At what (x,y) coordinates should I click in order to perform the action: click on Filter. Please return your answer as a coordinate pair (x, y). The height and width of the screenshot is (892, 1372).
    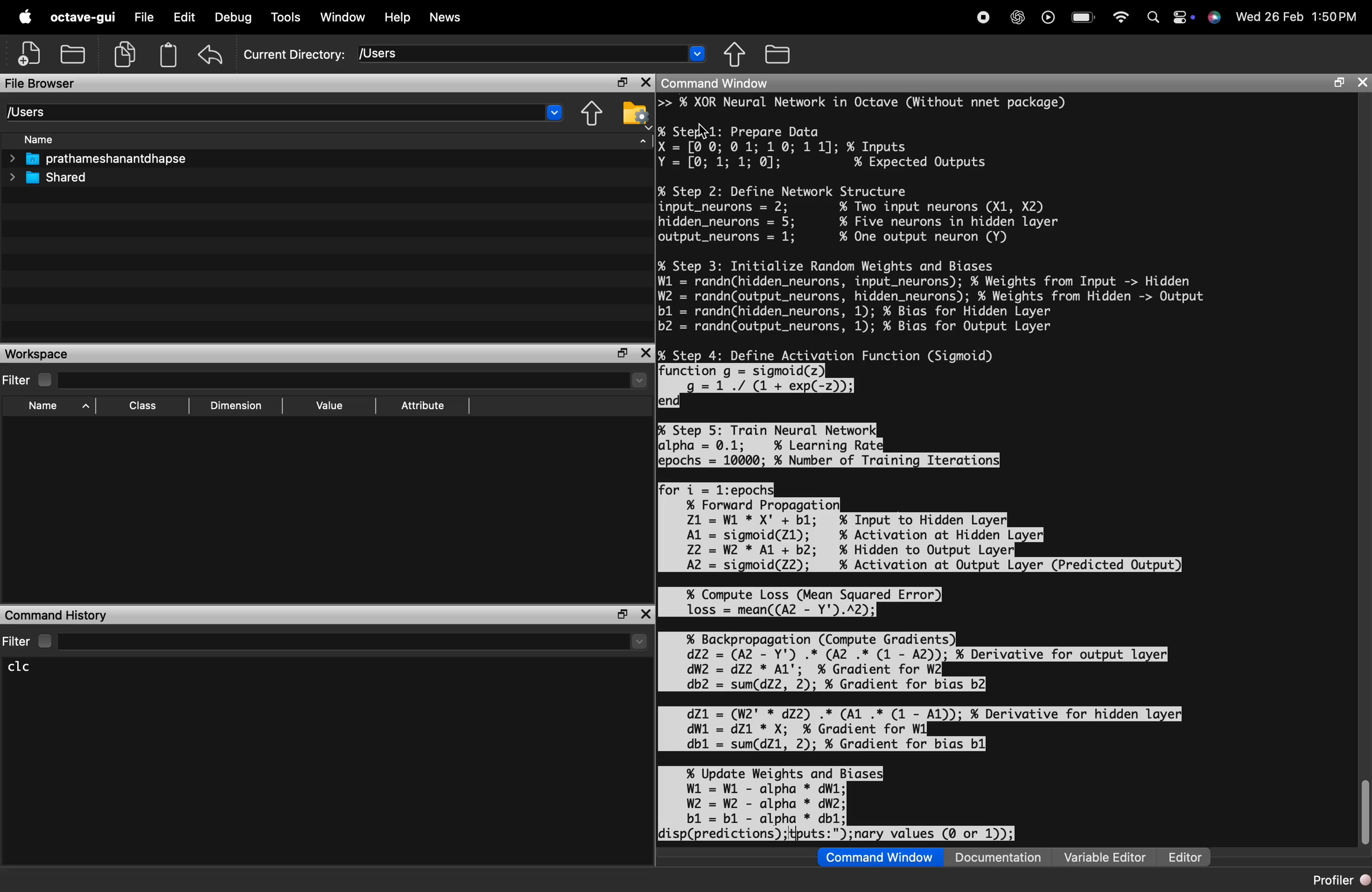
    Looking at the image, I should click on (325, 641).